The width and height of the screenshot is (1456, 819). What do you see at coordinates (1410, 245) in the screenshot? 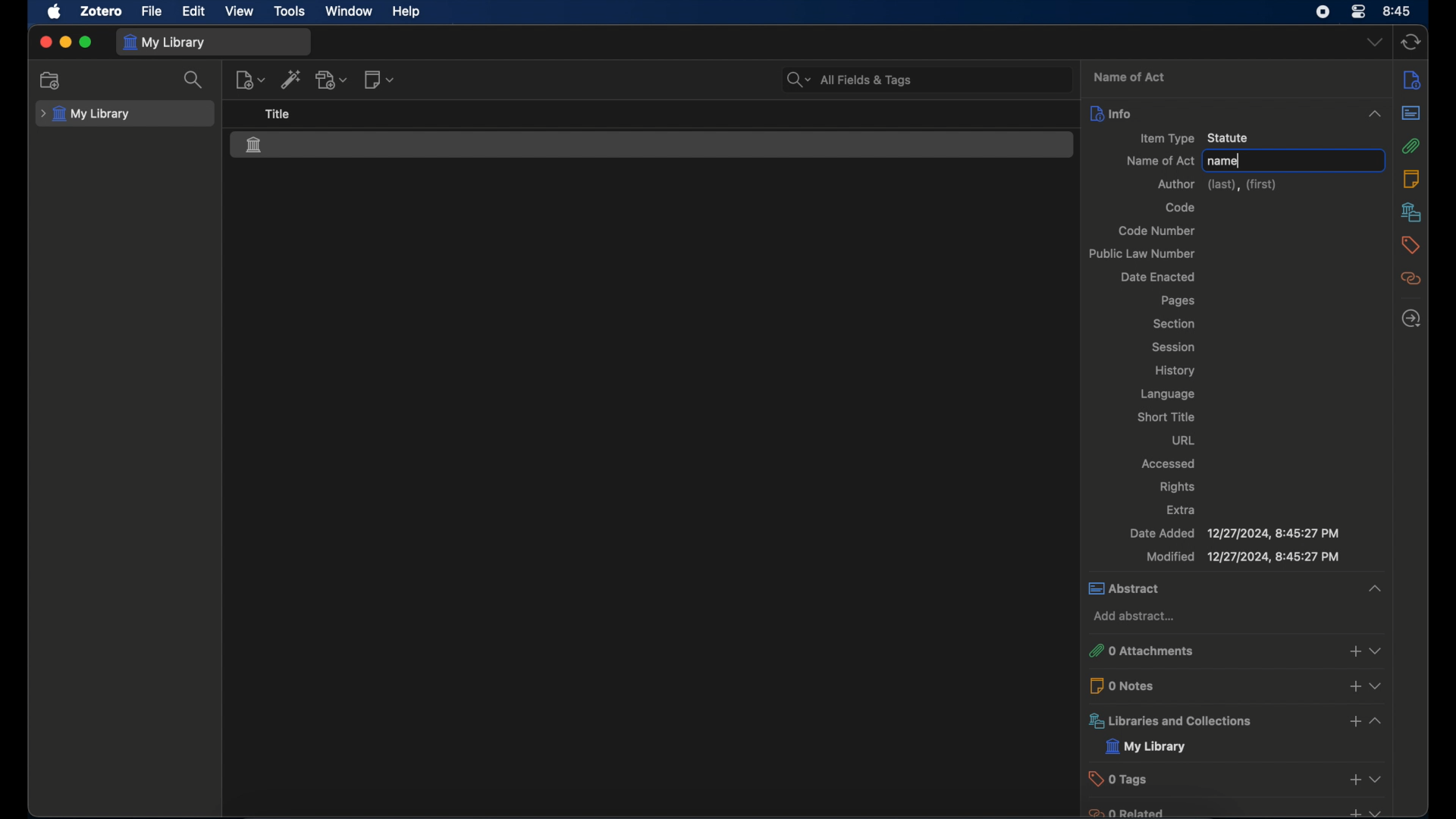
I see `tags` at bounding box center [1410, 245].